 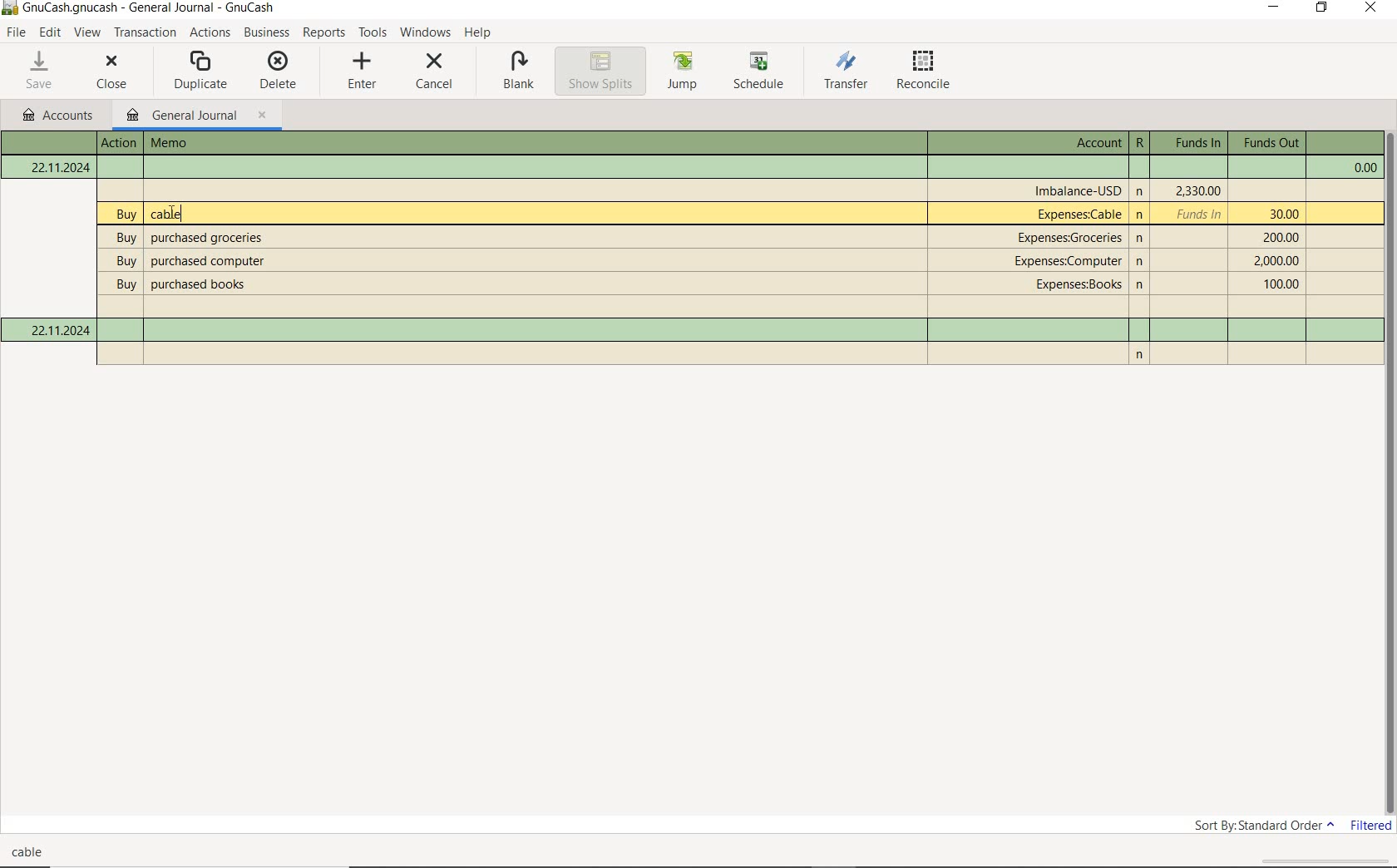 I want to click on sort by, so click(x=1264, y=826).